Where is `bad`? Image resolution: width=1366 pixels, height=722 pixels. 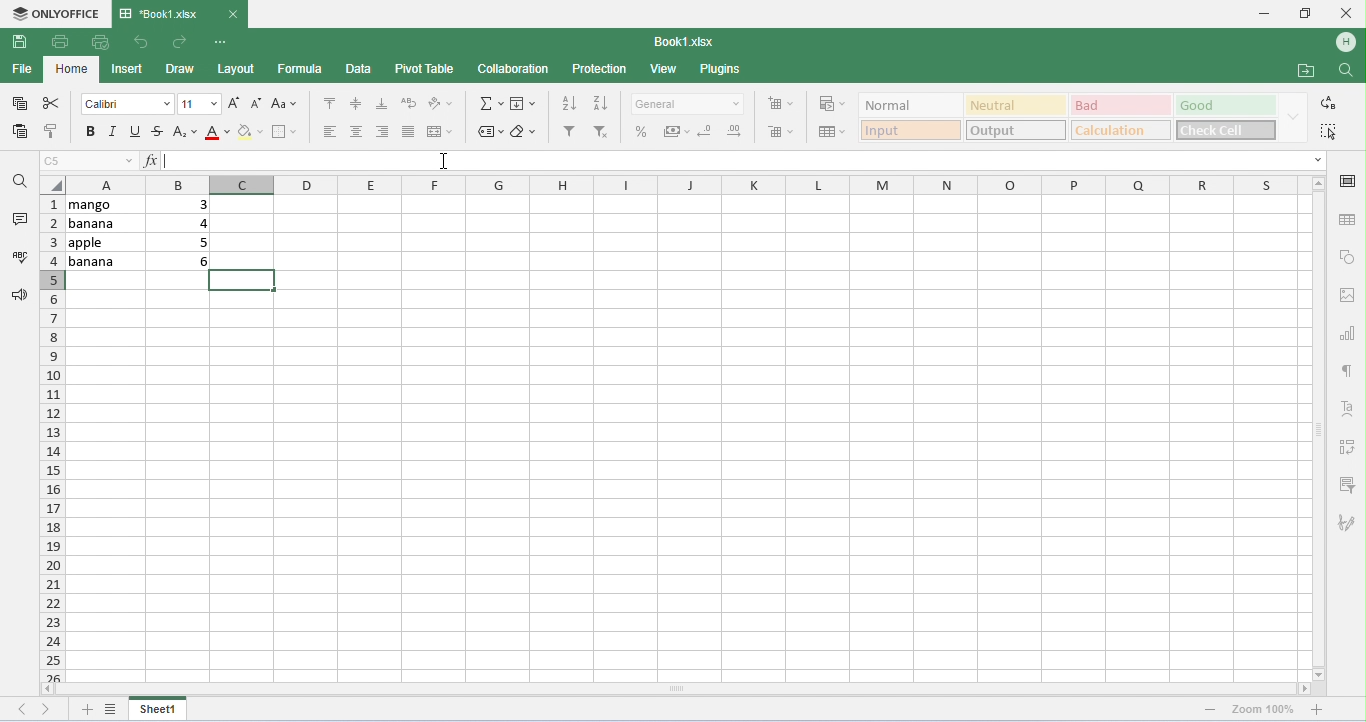 bad is located at coordinates (1119, 104).